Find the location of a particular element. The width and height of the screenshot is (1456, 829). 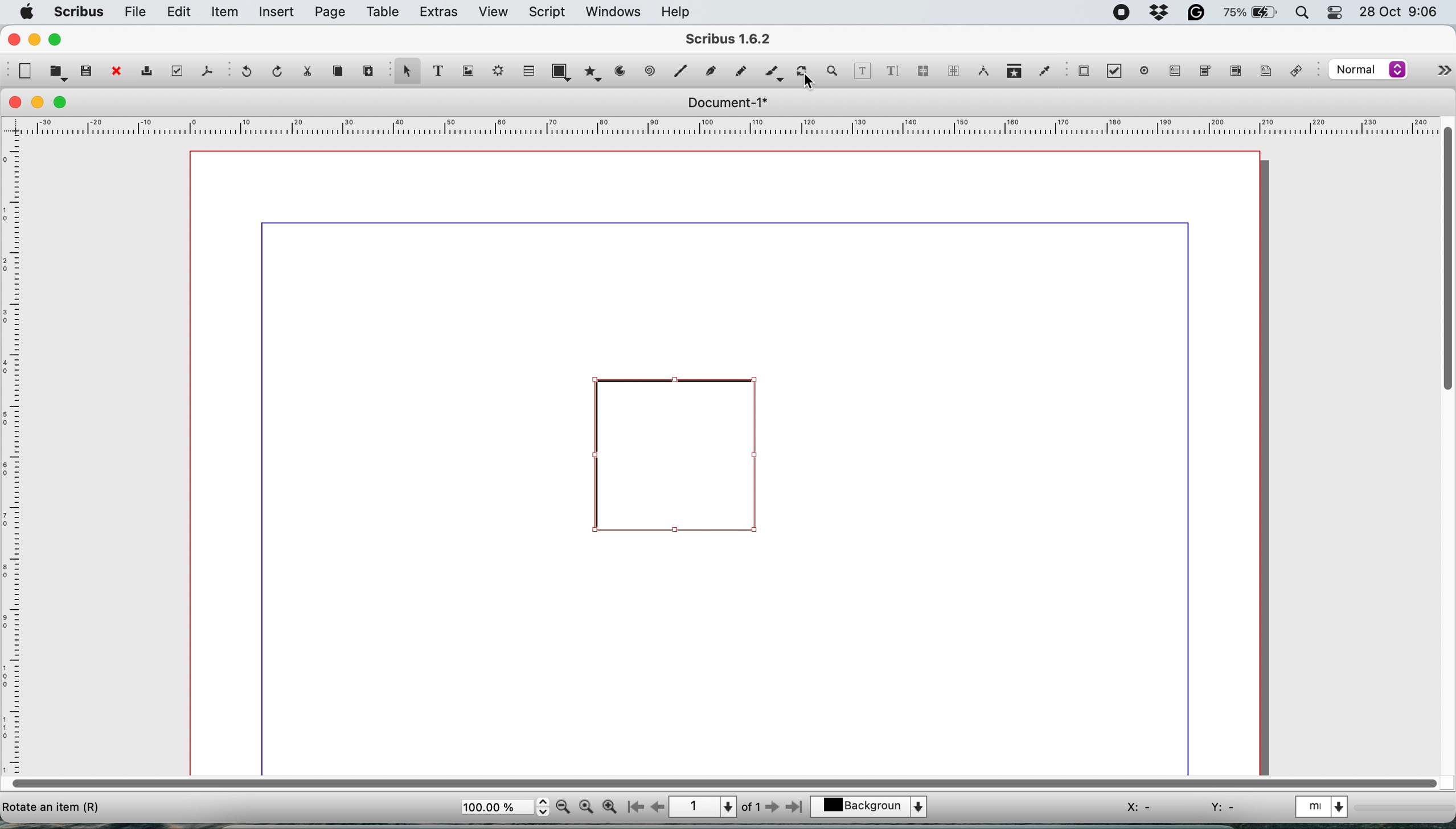

rotate is located at coordinates (803, 67).